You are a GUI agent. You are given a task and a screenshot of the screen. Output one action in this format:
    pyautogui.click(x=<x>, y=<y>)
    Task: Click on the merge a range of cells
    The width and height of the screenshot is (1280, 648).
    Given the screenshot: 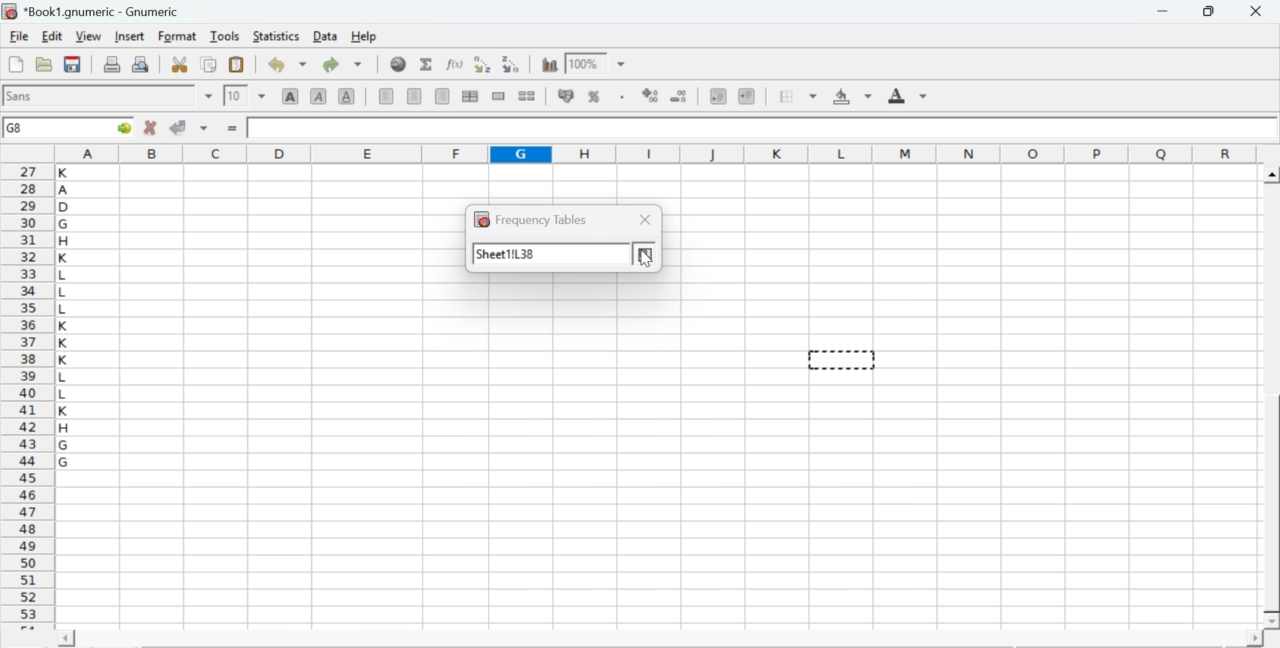 What is the action you would take?
    pyautogui.click(x=499, y=96)
    